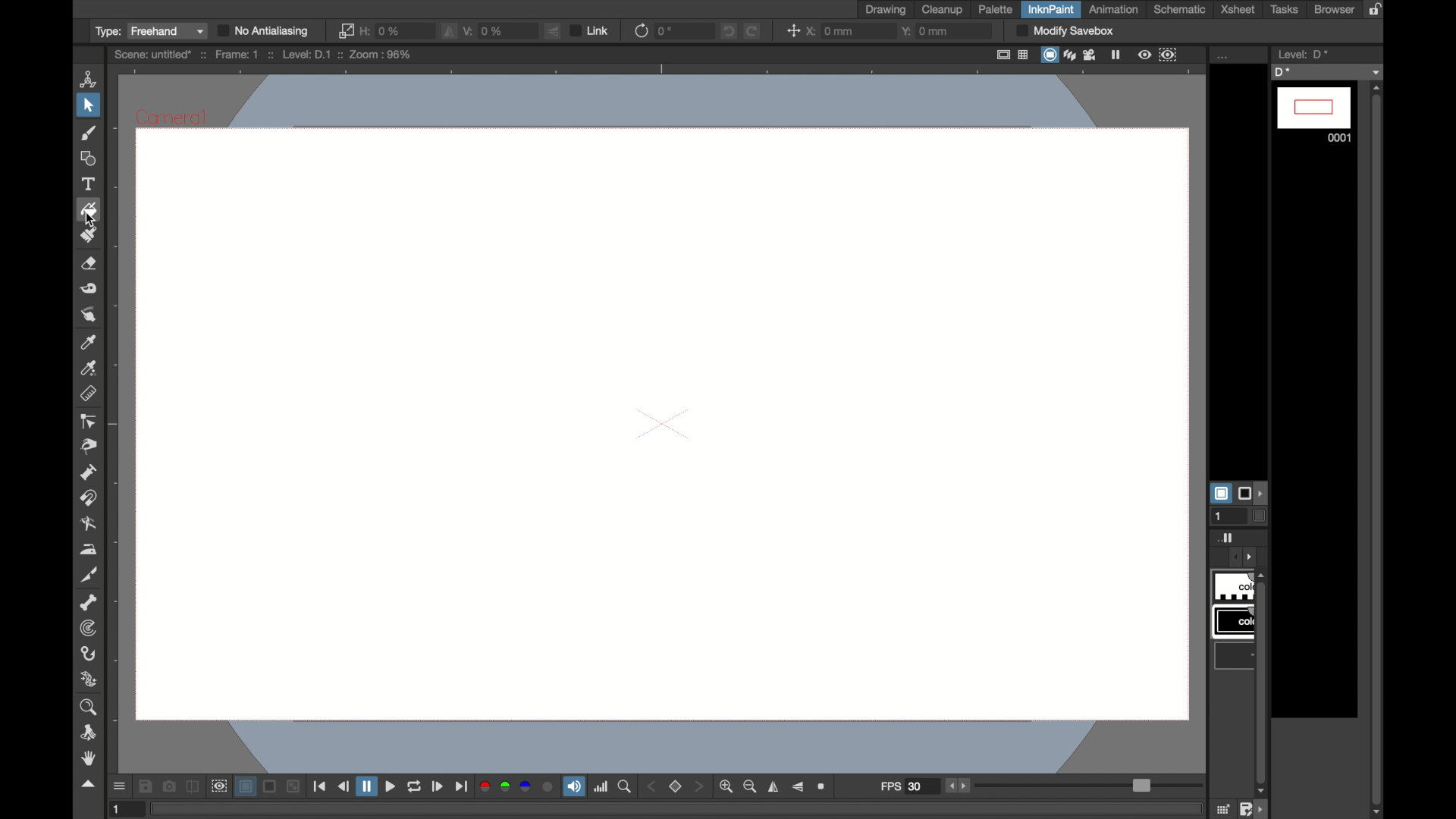 This screenshot has height=819, width=1456. I want to click on soundtrack, so click(573, 786).